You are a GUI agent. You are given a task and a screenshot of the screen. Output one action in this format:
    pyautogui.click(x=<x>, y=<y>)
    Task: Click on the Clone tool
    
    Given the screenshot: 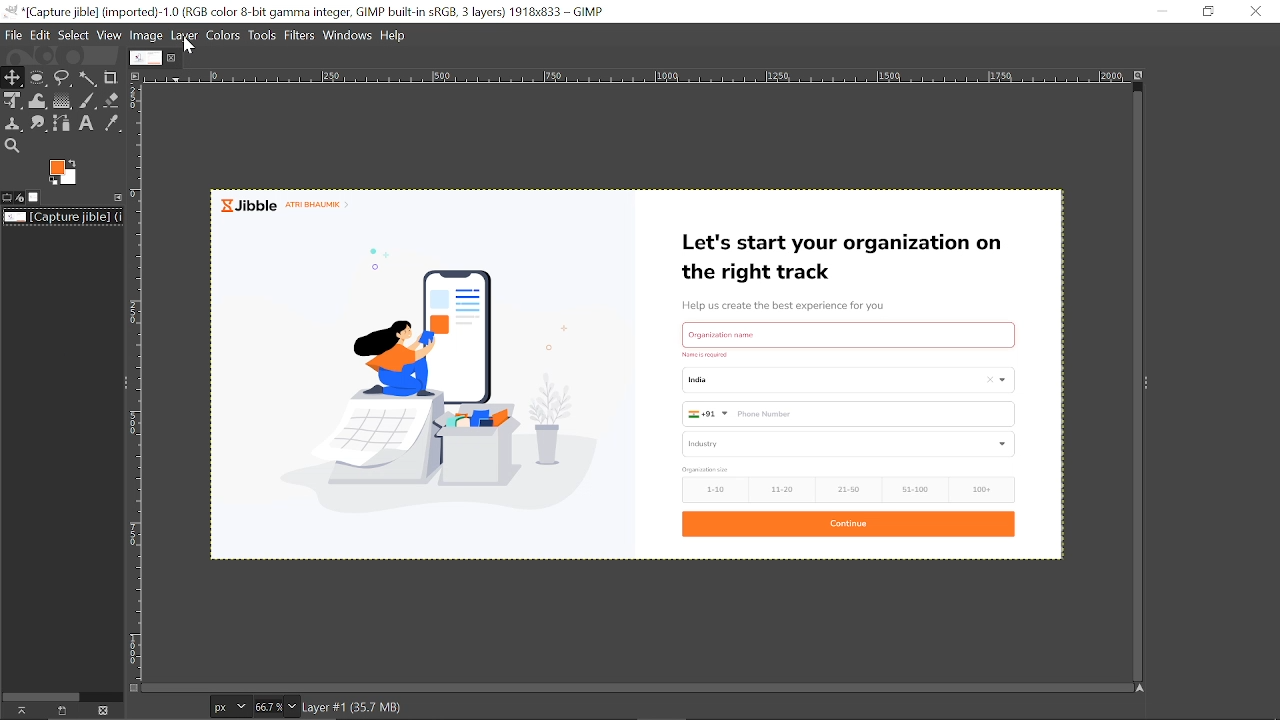 What is the action you would take?
    pyautogui.click(x=14, y=125)
    